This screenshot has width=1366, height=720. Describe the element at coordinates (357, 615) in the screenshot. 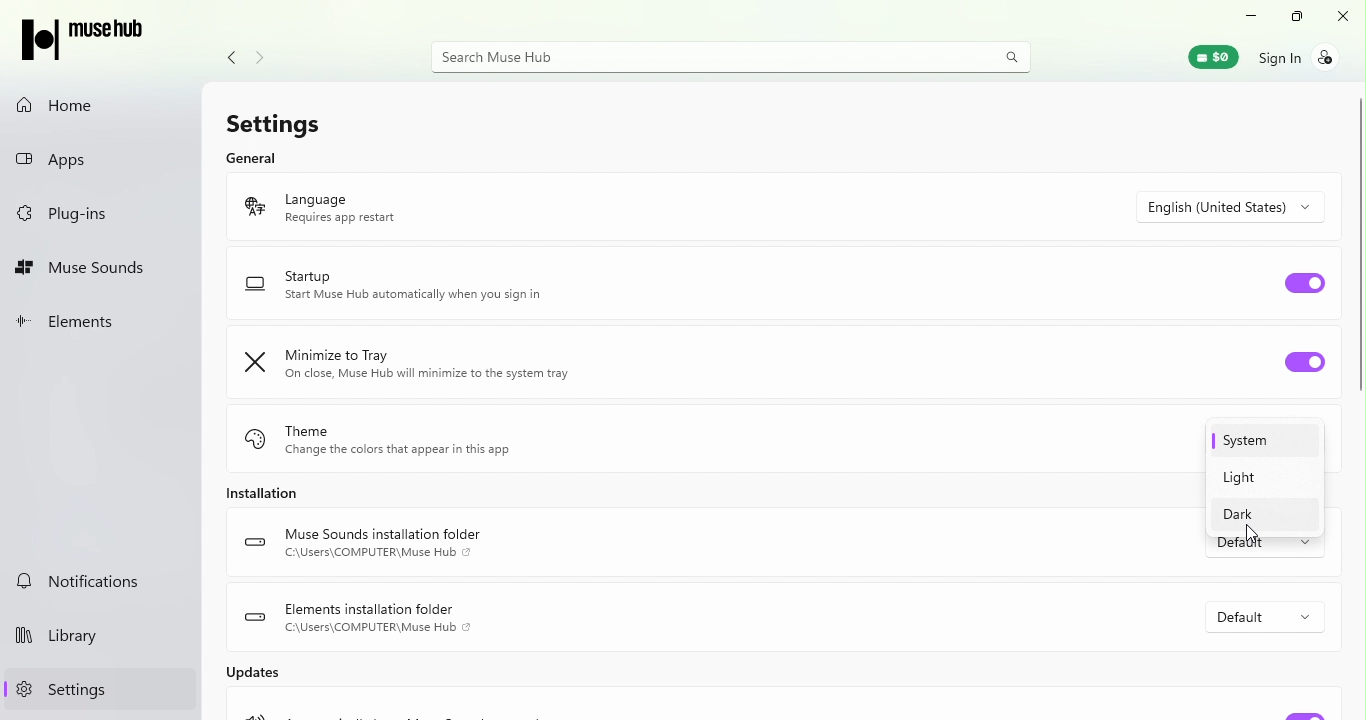

I see `Elements installation folder` at that location.